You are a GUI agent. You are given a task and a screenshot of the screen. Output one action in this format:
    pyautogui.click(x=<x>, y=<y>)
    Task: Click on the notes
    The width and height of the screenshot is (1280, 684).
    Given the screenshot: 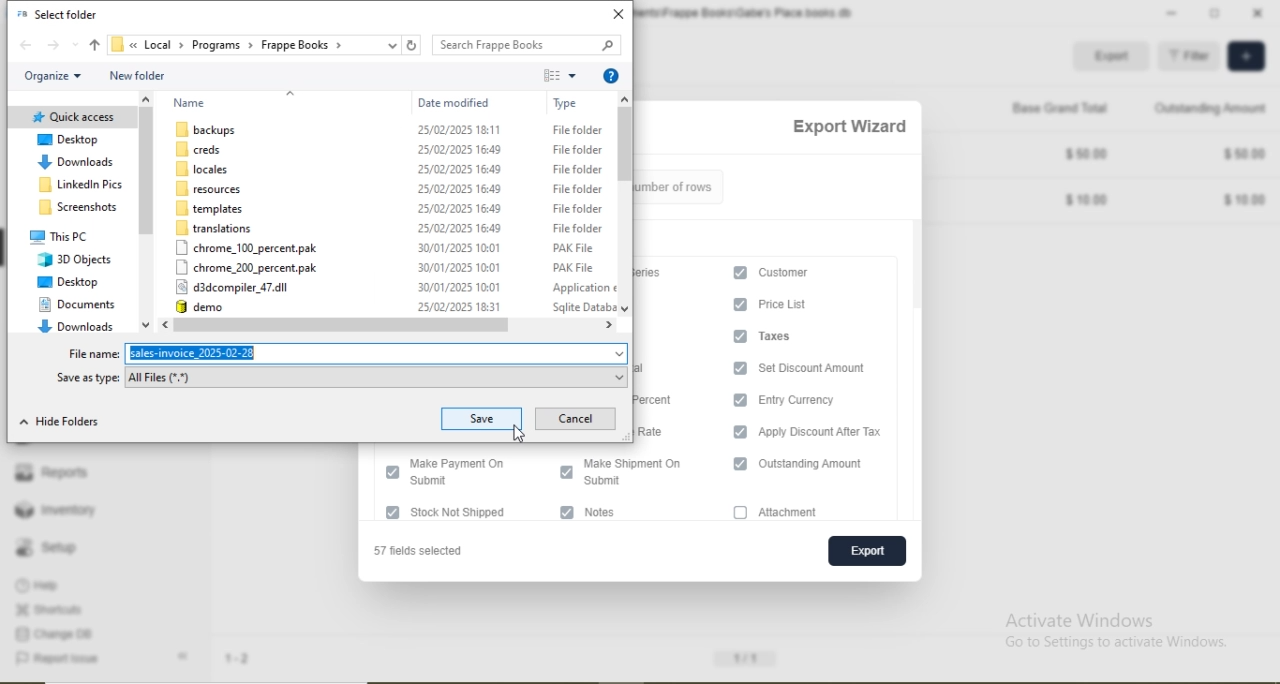 What is the action you would take?
    pyautogui.click(x=612, y=514)
    